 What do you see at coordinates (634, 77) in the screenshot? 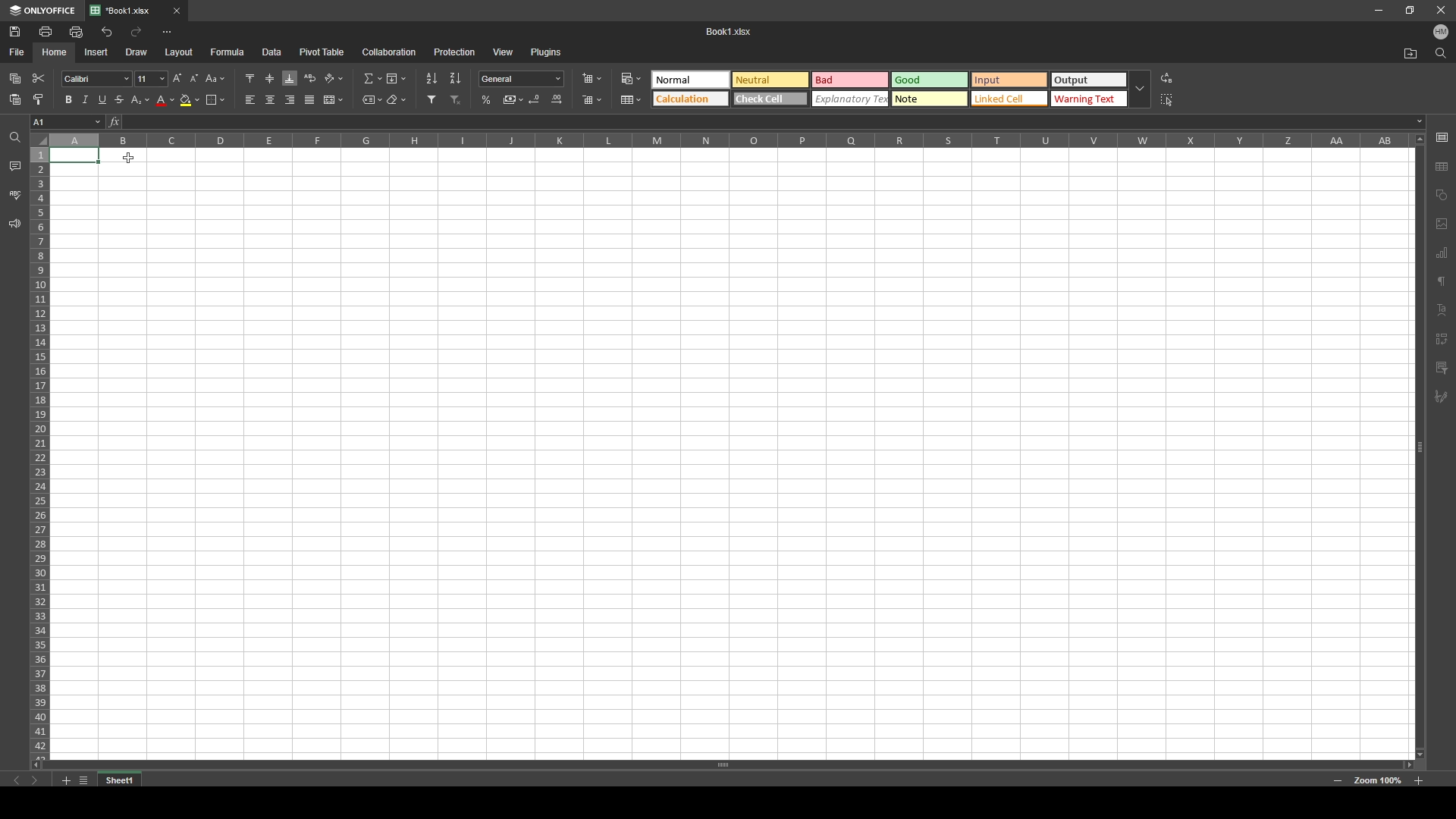
I see `conditional formatting` at bounding box center [634, 77].